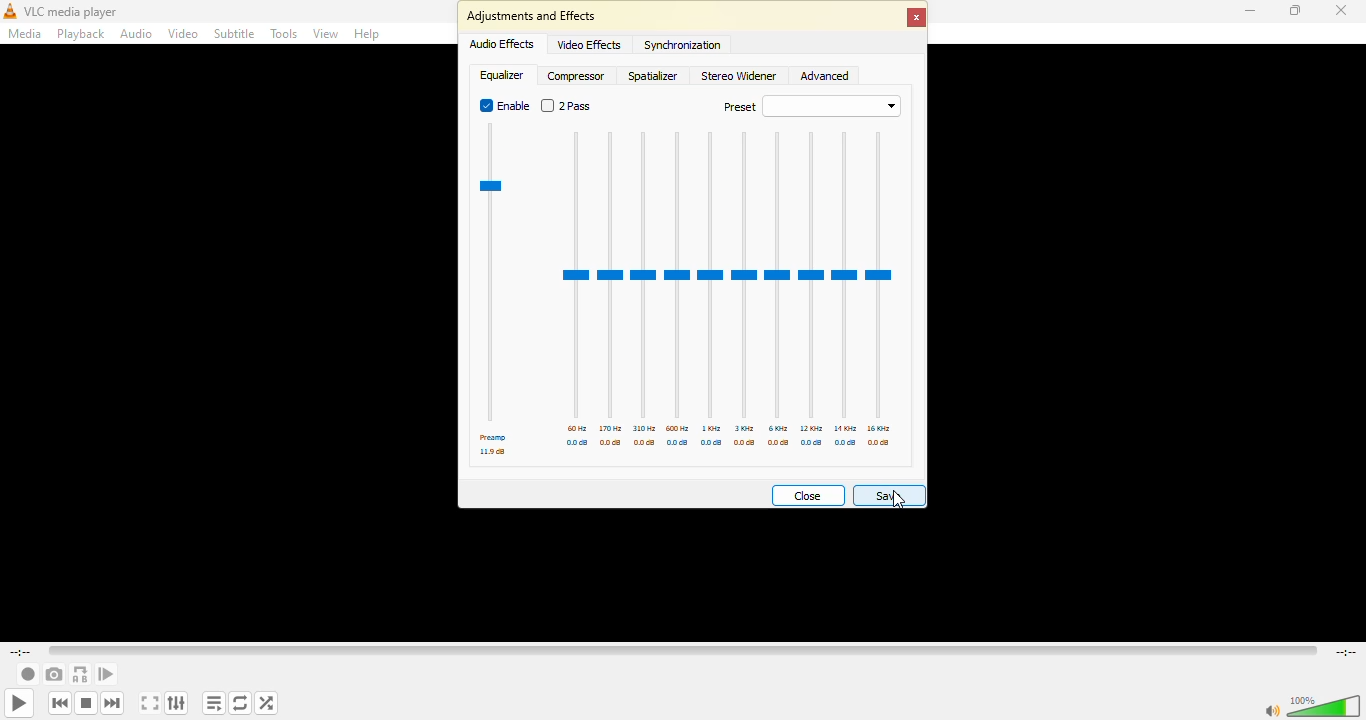  What do you see at coordinates (24, 651) in the screenshot?
I see `elapsed time` at bounding box center [24, 651].